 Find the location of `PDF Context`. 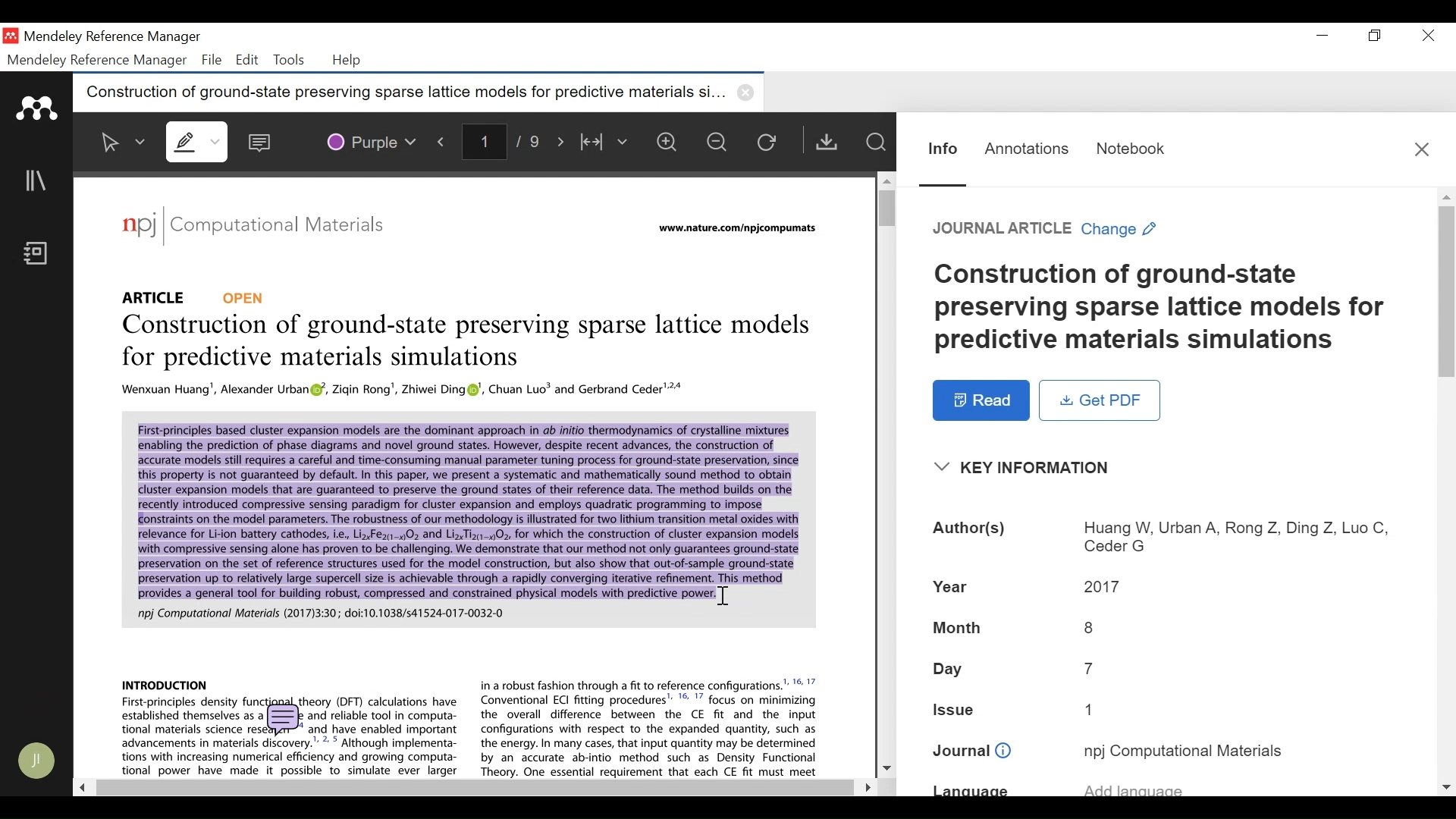

PDF Context is located at coordinates (463, 516).